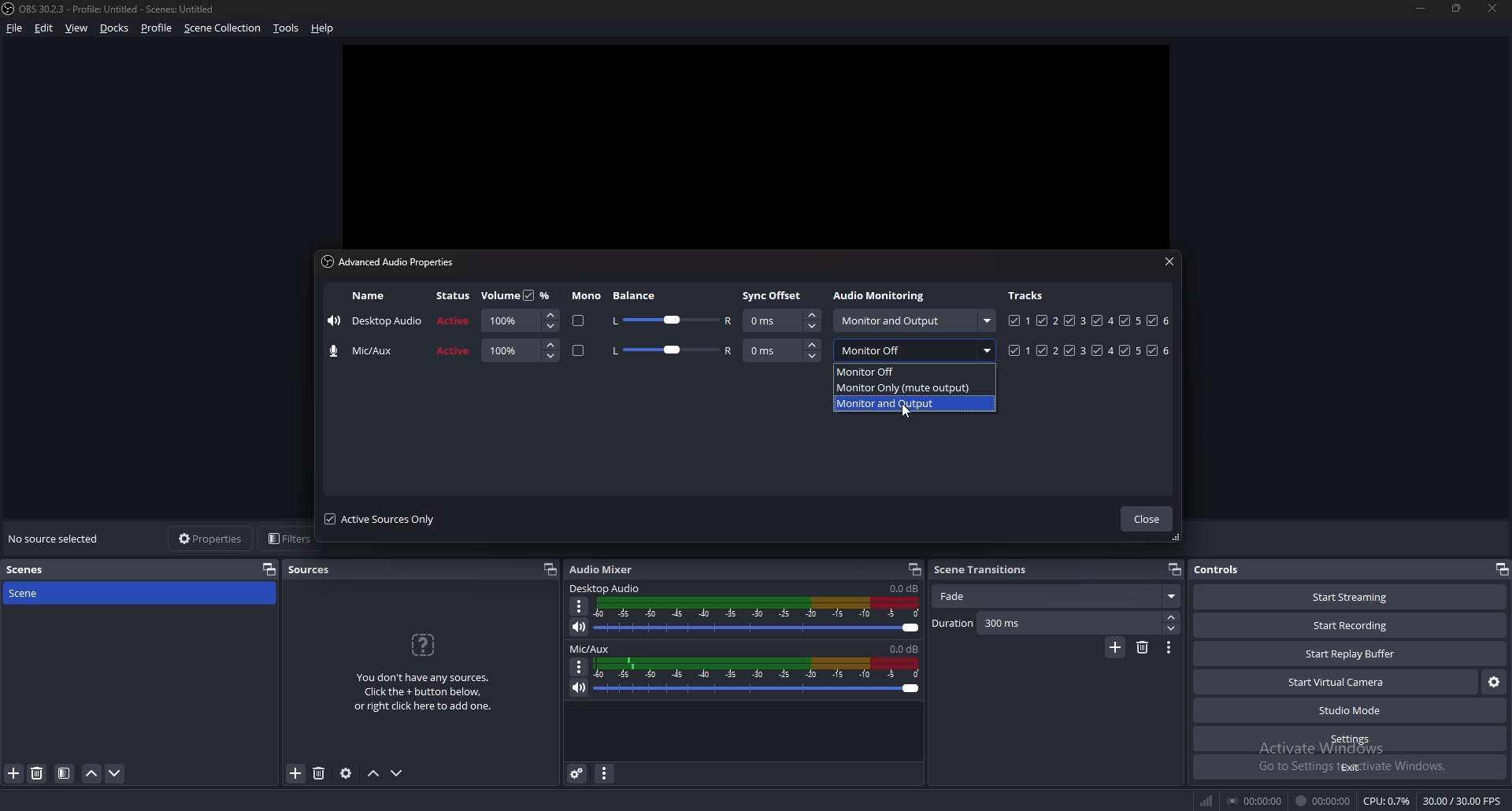 This screenshot has width=1512, height=811. What do you see at coordinates (917, 404) in the screenshot?
I see `monitor and output` at bounding box center [917, 404].